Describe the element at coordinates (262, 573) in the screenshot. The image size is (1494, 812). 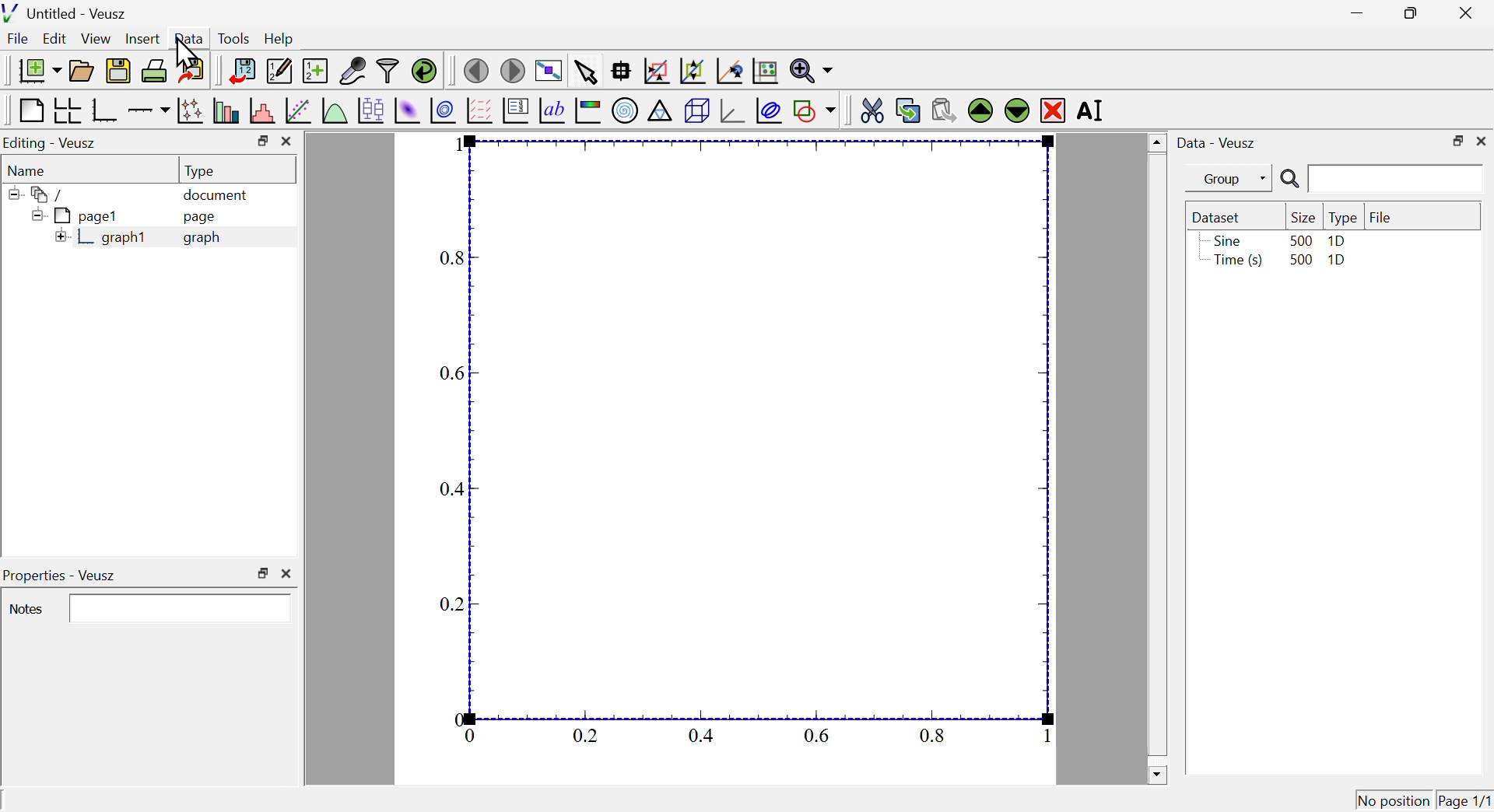
I see `maximize` at that location.